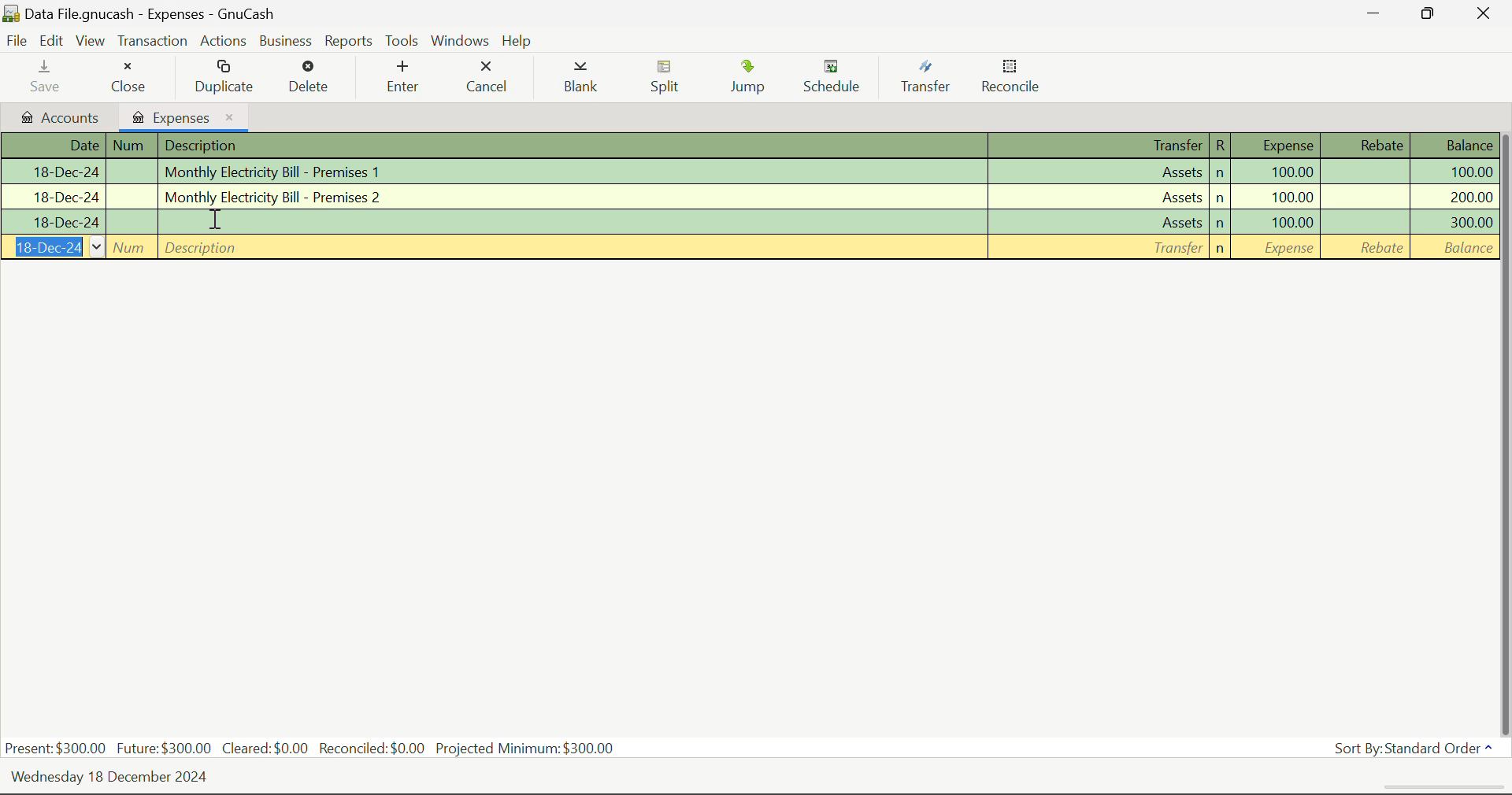  I want to click on Split, so click(673, 79).